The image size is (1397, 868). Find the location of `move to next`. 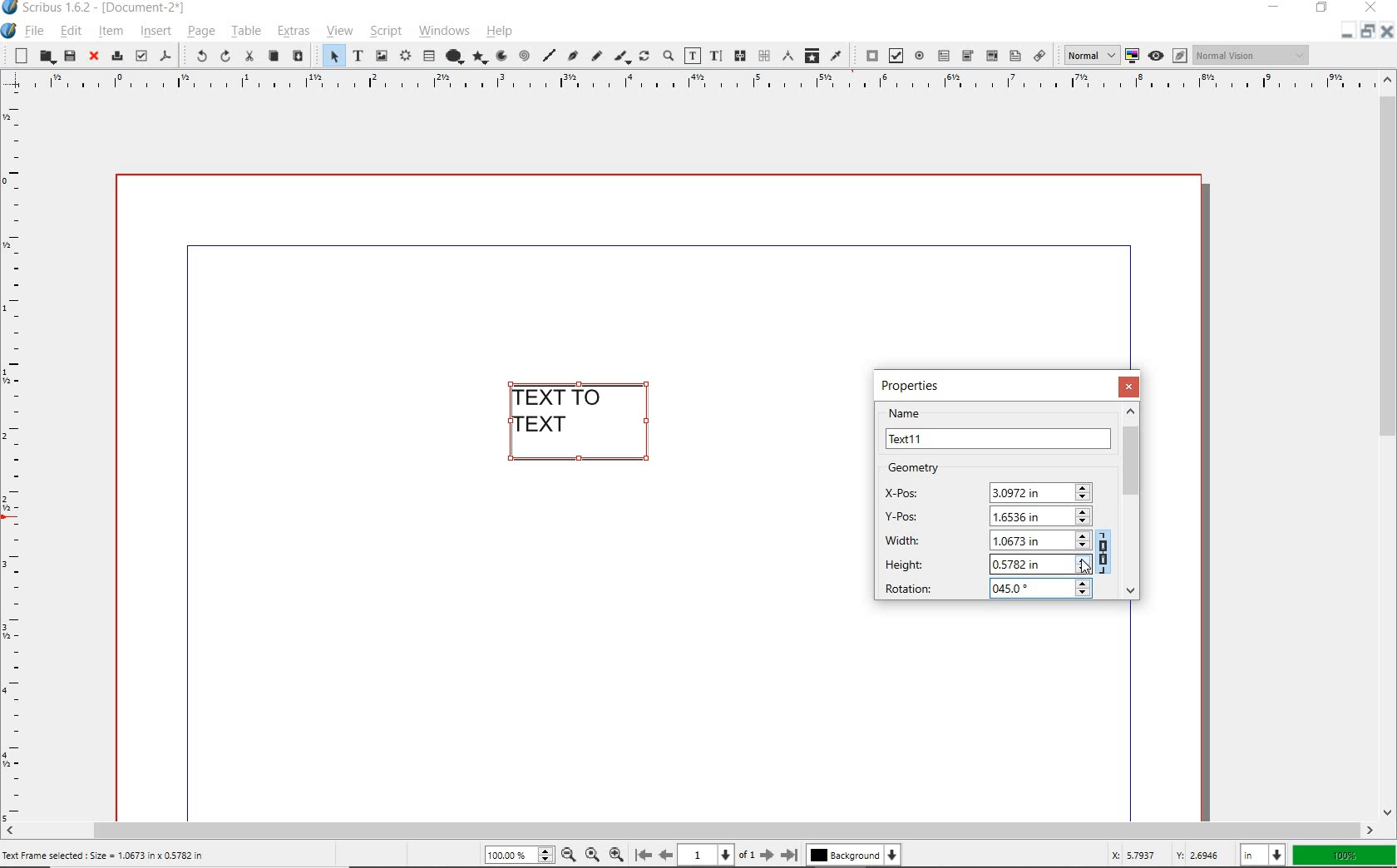

move to next is located at coordinates (770, 857).